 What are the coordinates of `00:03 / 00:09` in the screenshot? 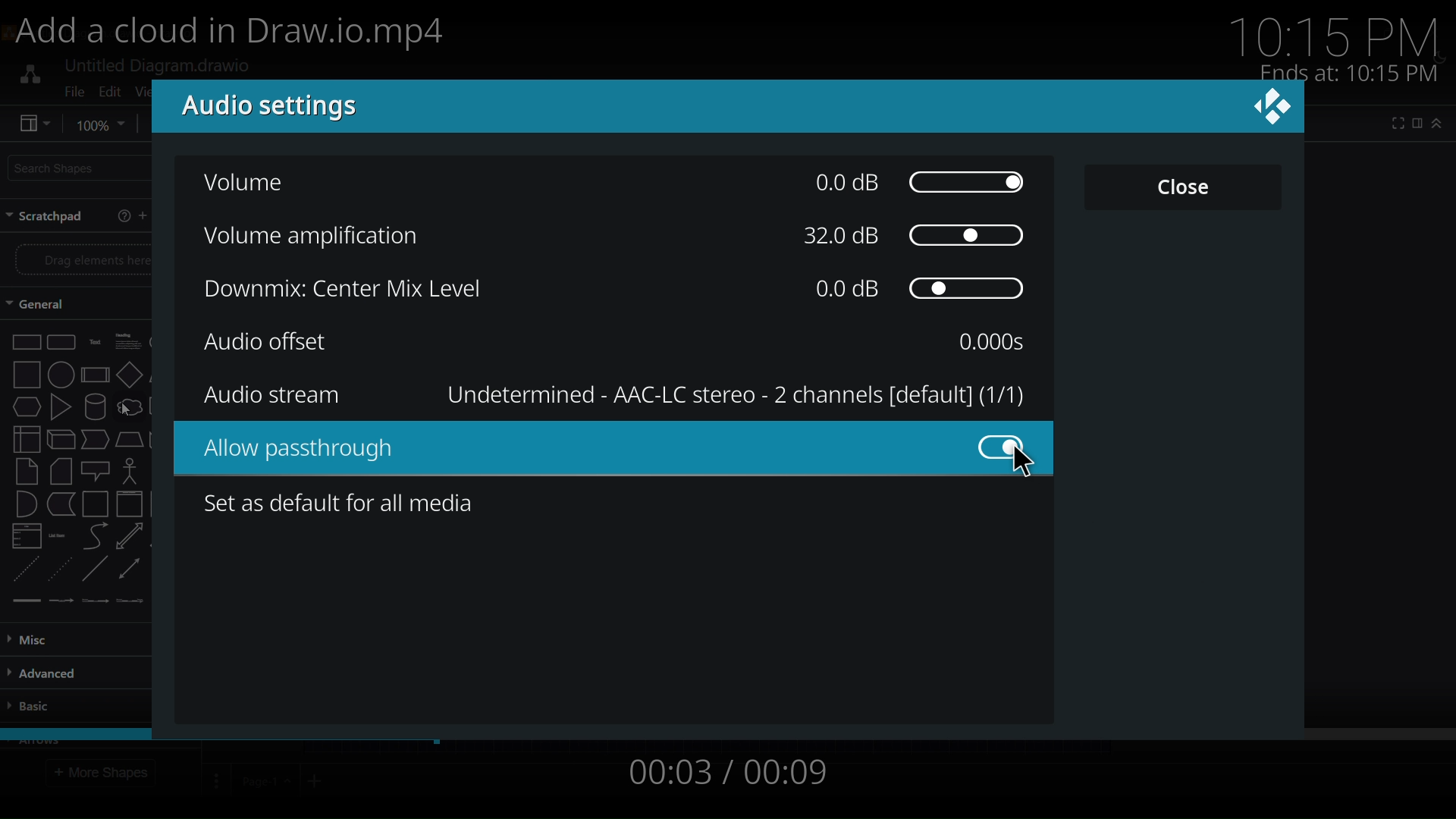 It's located at (728, 769).